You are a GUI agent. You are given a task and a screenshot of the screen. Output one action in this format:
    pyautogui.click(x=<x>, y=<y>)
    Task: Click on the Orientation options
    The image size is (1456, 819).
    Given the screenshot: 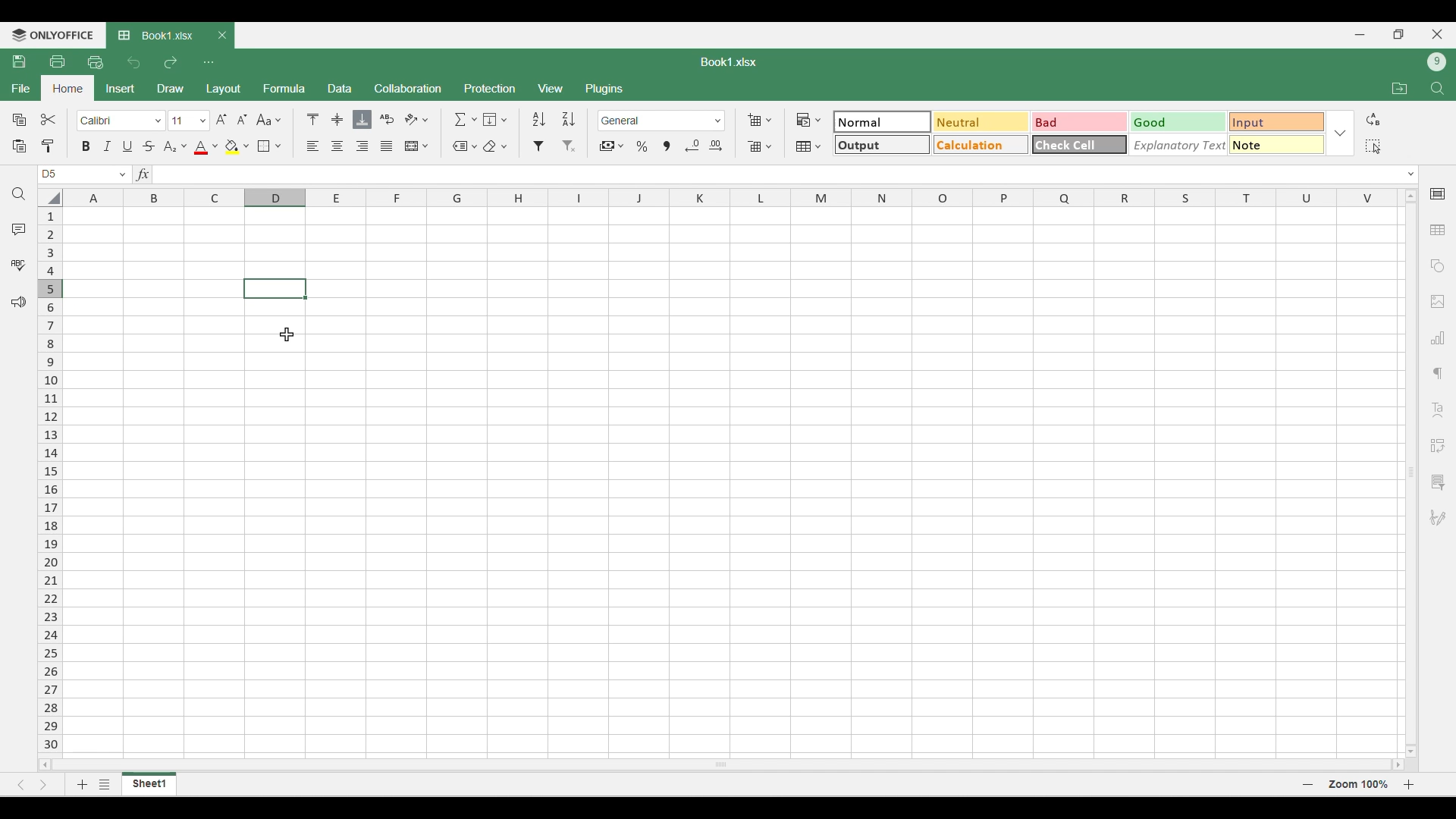 What is the action you would take?
    pyautogui.click(x=417, y=119)
    